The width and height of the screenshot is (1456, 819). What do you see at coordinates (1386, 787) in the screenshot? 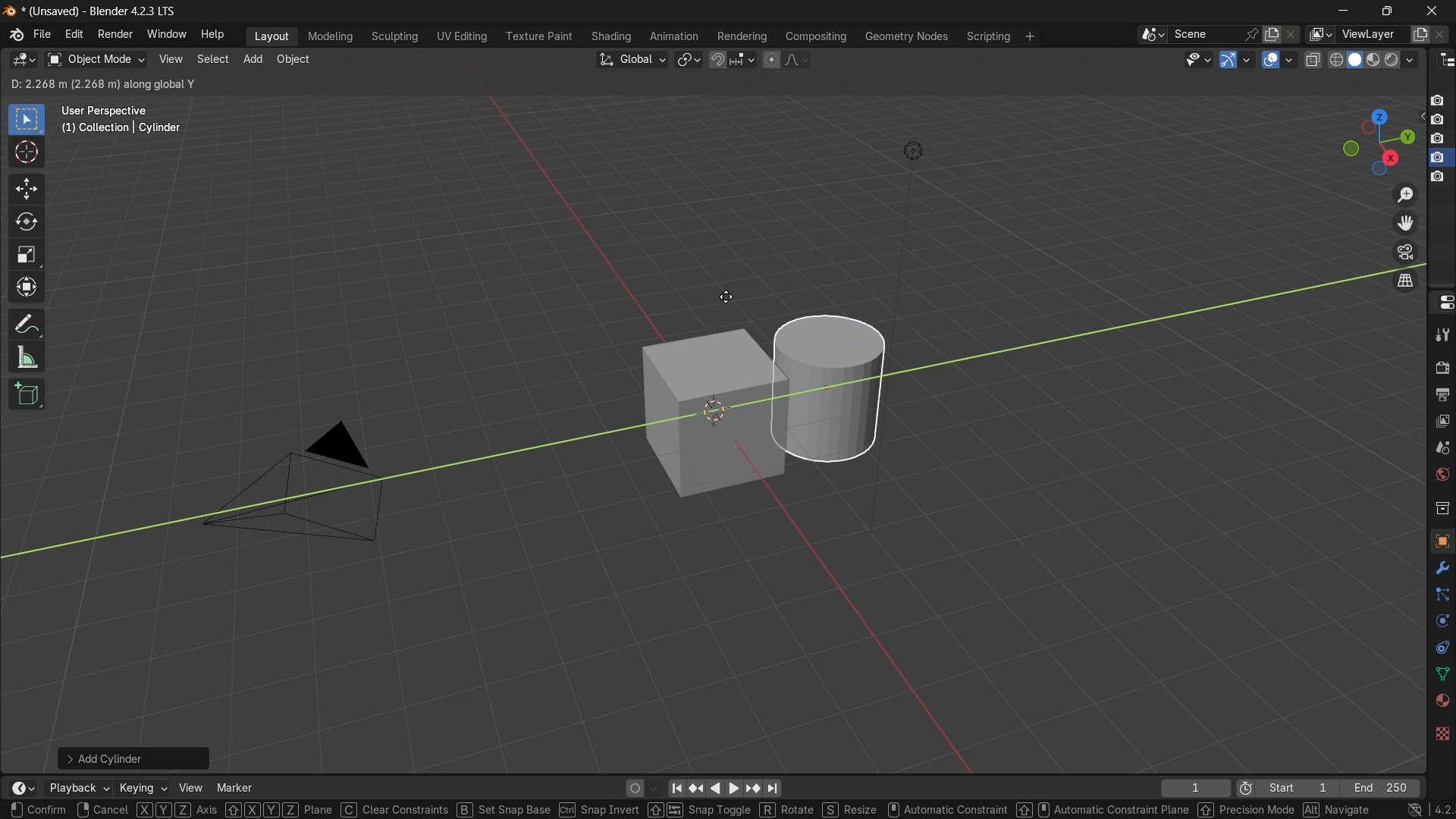
I see `end` at bounding box center [1386, 787].